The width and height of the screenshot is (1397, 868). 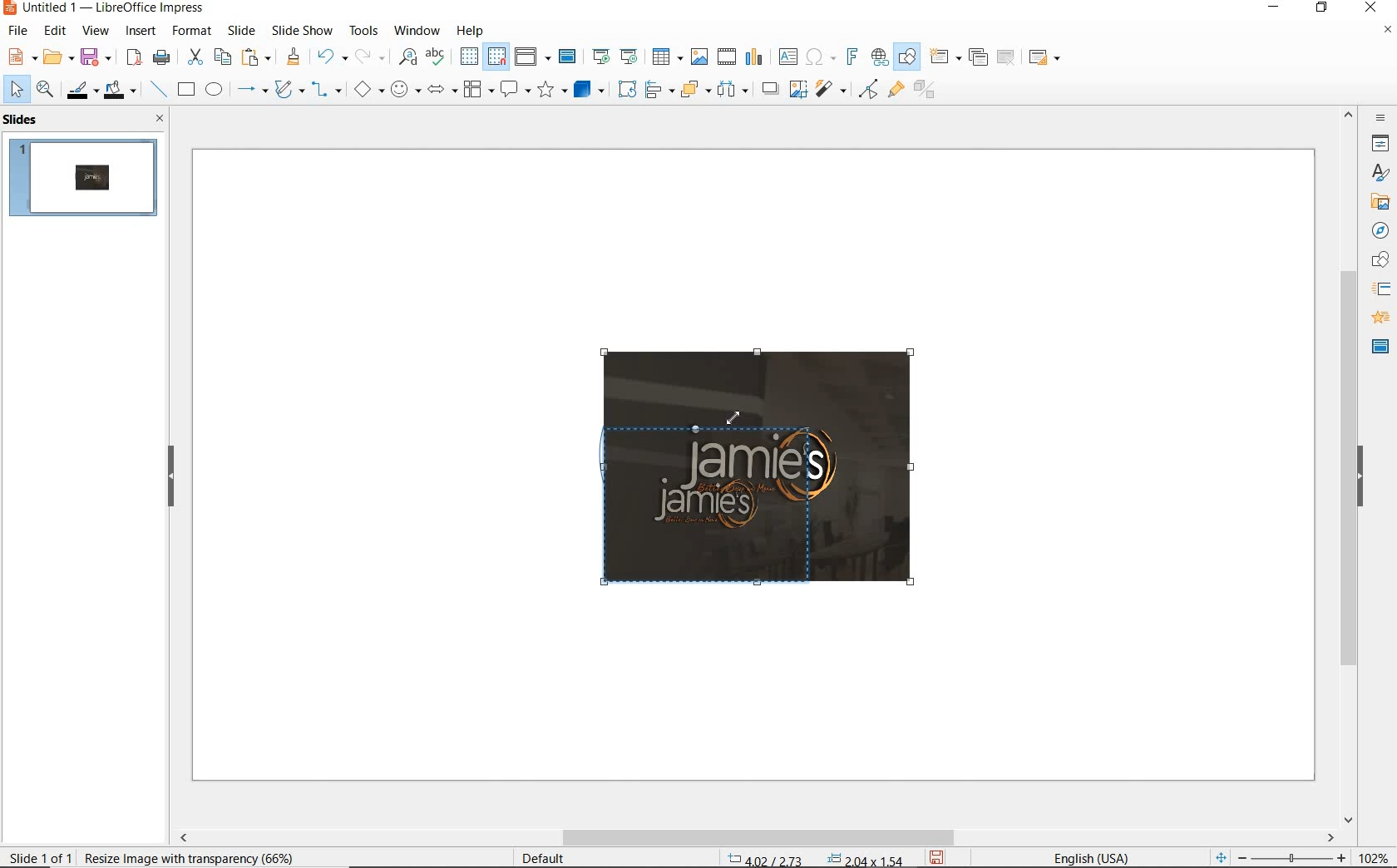 I want to click on Default, so click(x=545, y=858).